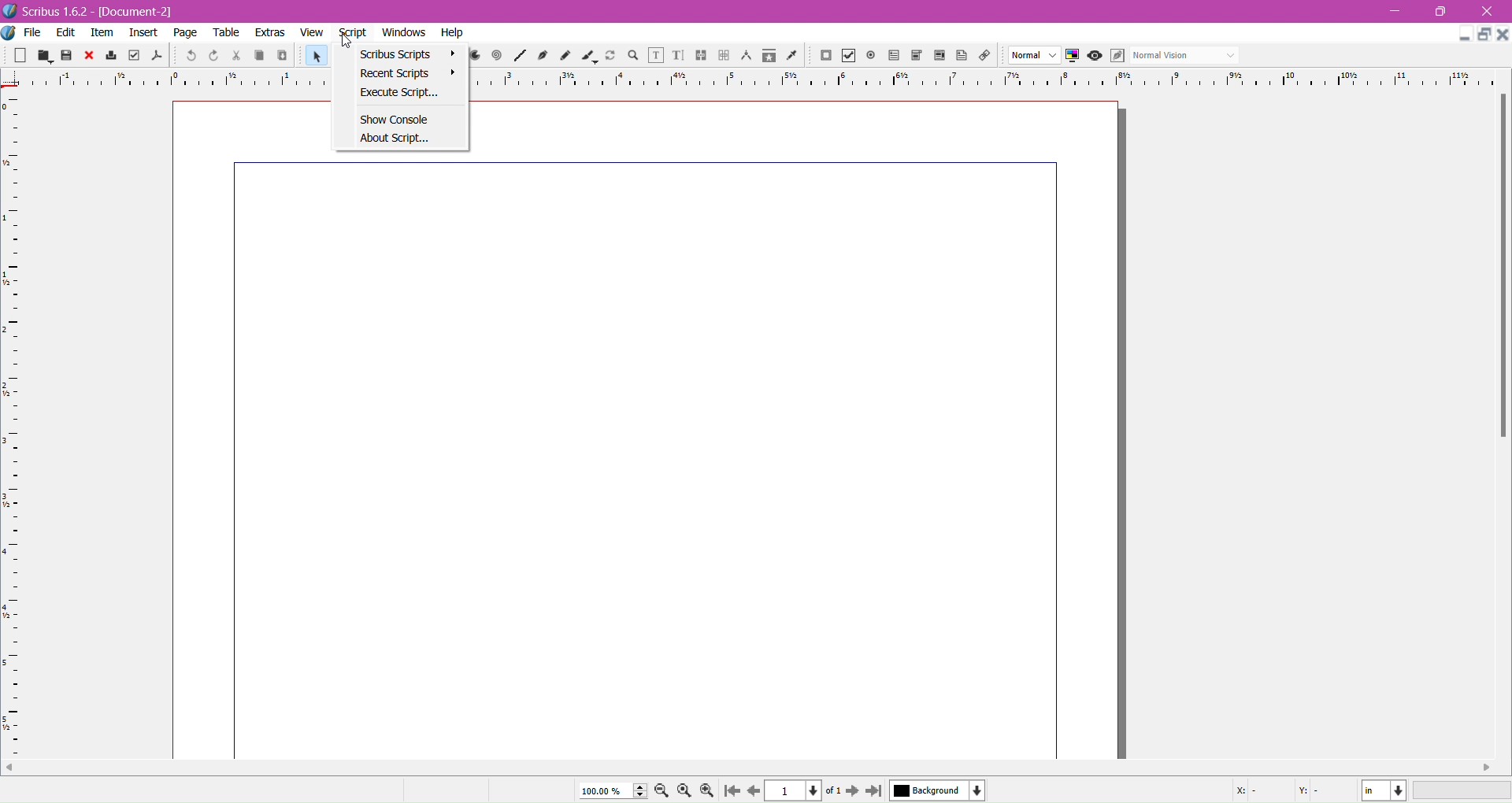 The height and width of the screenshot is (803, 1512). Describe the element at coordinates (399, 93) in the screenshot. I see `Execute Script` at that location.